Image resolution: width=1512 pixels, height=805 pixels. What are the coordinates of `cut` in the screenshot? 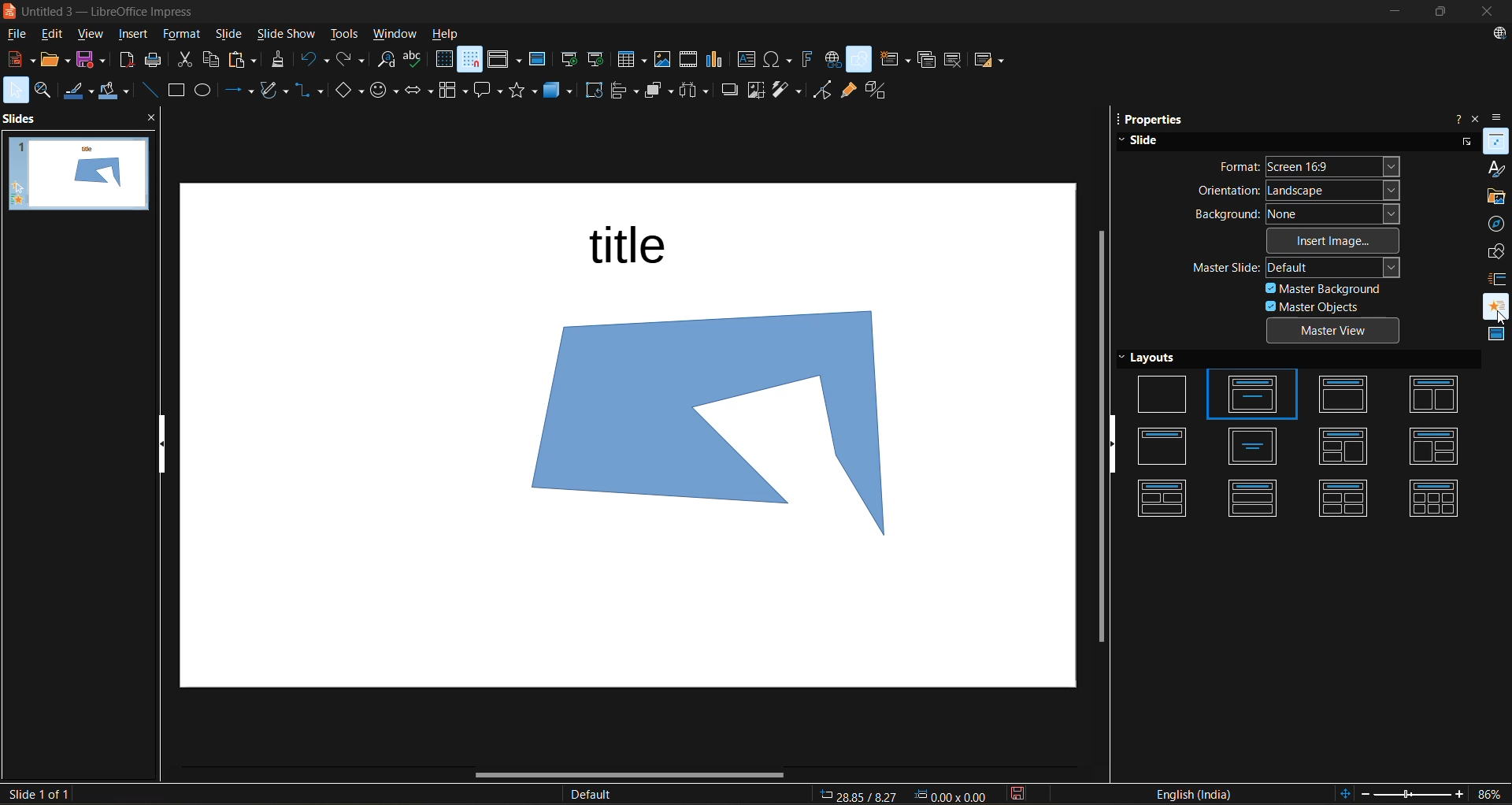 It's located at (187, 61).